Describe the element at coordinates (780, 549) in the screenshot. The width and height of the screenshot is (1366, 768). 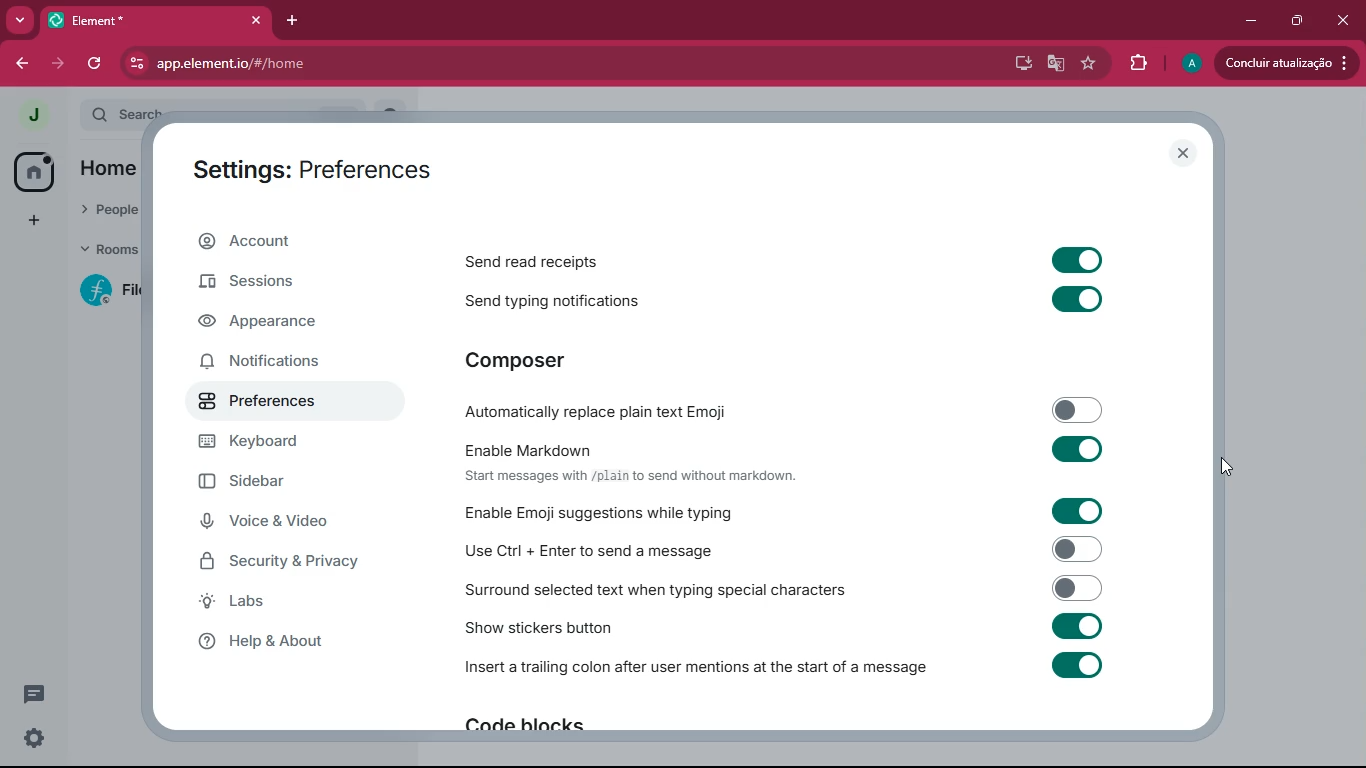
I see `Use Ctrl + Enter to send a message` at that location.